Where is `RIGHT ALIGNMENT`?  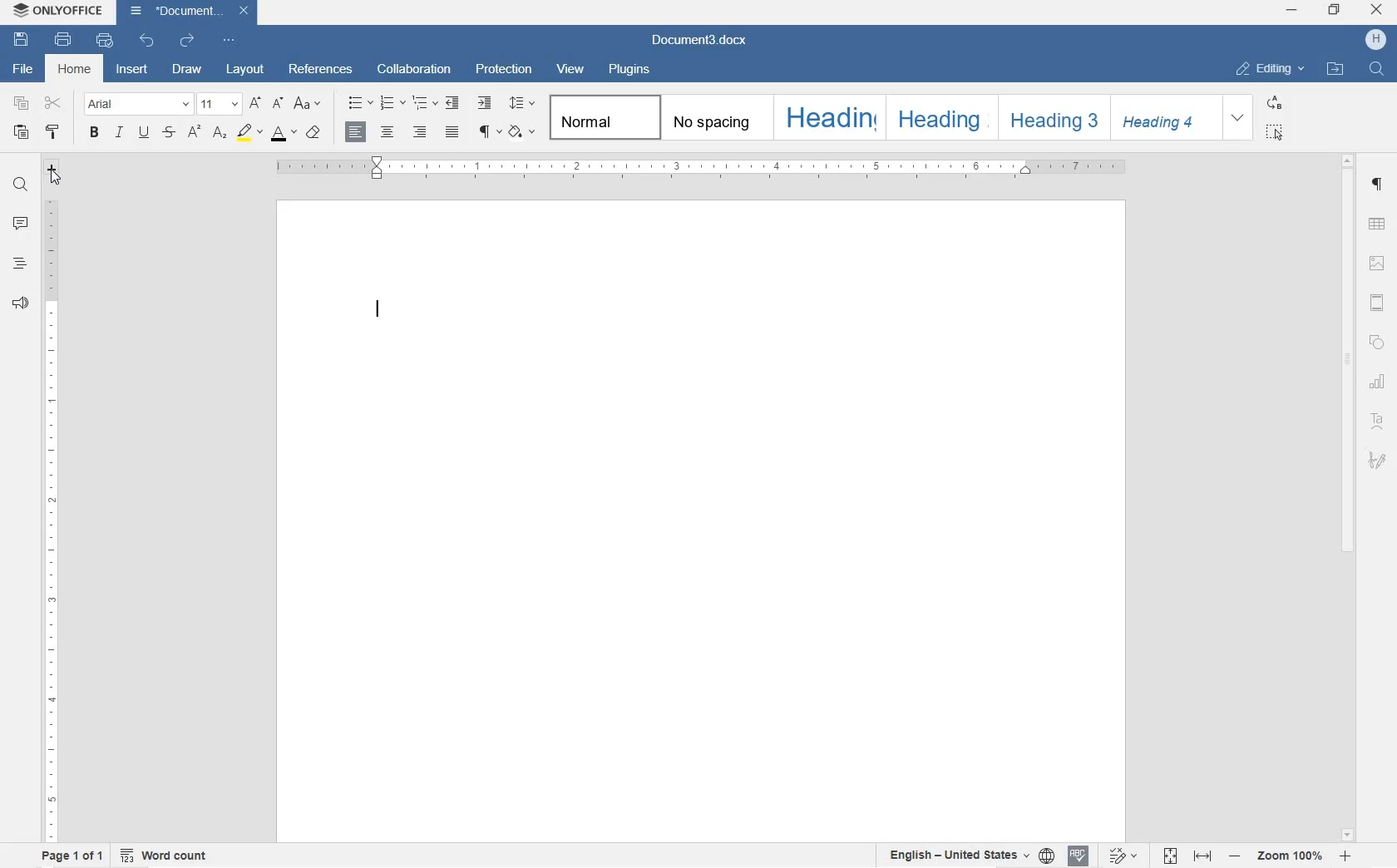 RIGHT ALIGNMENT is located at coordinates (420, 132).